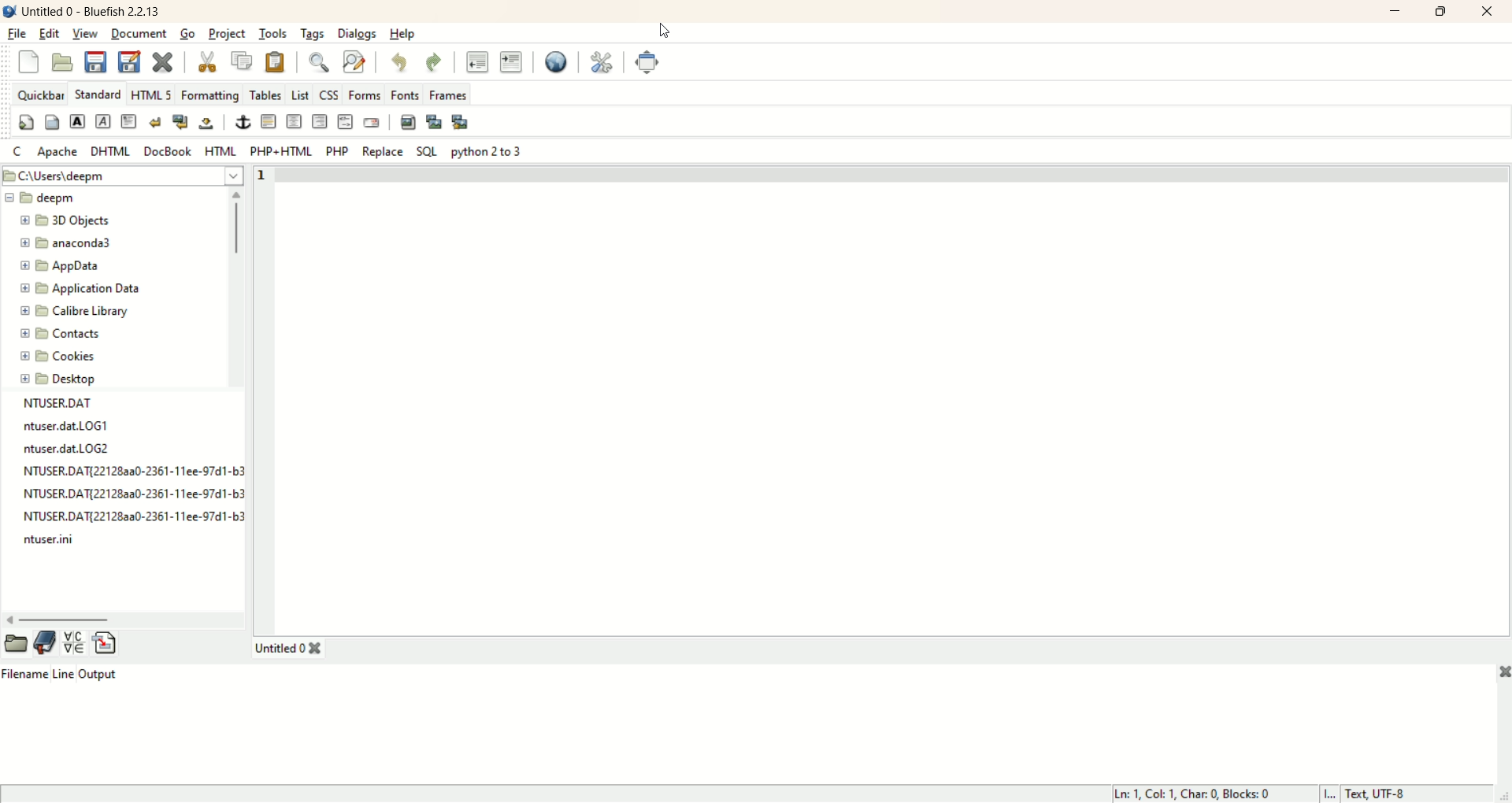 The height and width of the screenshot is (803, 1512). Describe the element at coordinates (9, 12) in the screenshot. I see `logo` at that location.